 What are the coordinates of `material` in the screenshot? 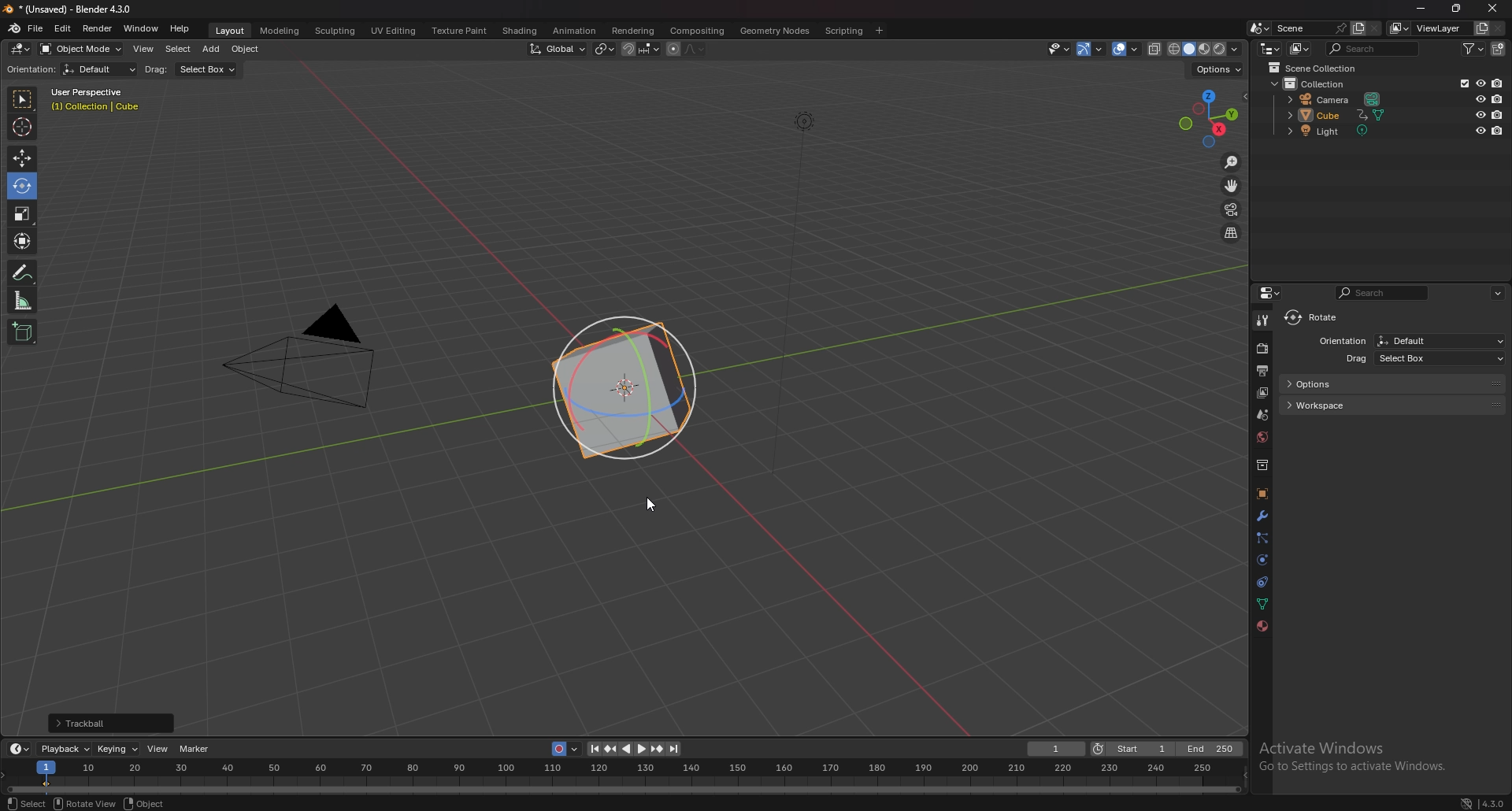 It's located at (1262, 626).